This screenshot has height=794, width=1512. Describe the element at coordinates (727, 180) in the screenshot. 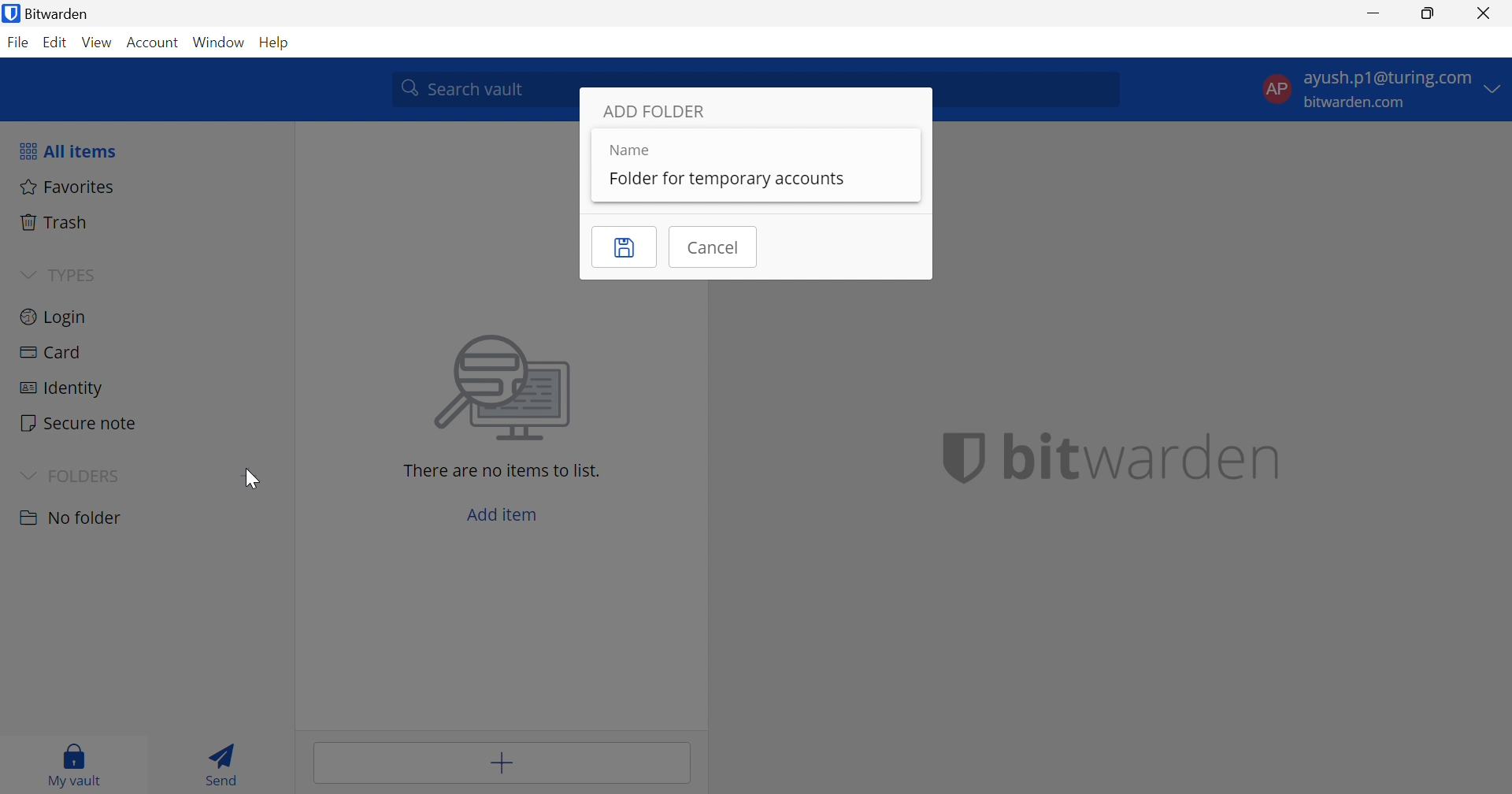

I see `Folder for temporary accounts` at that location.